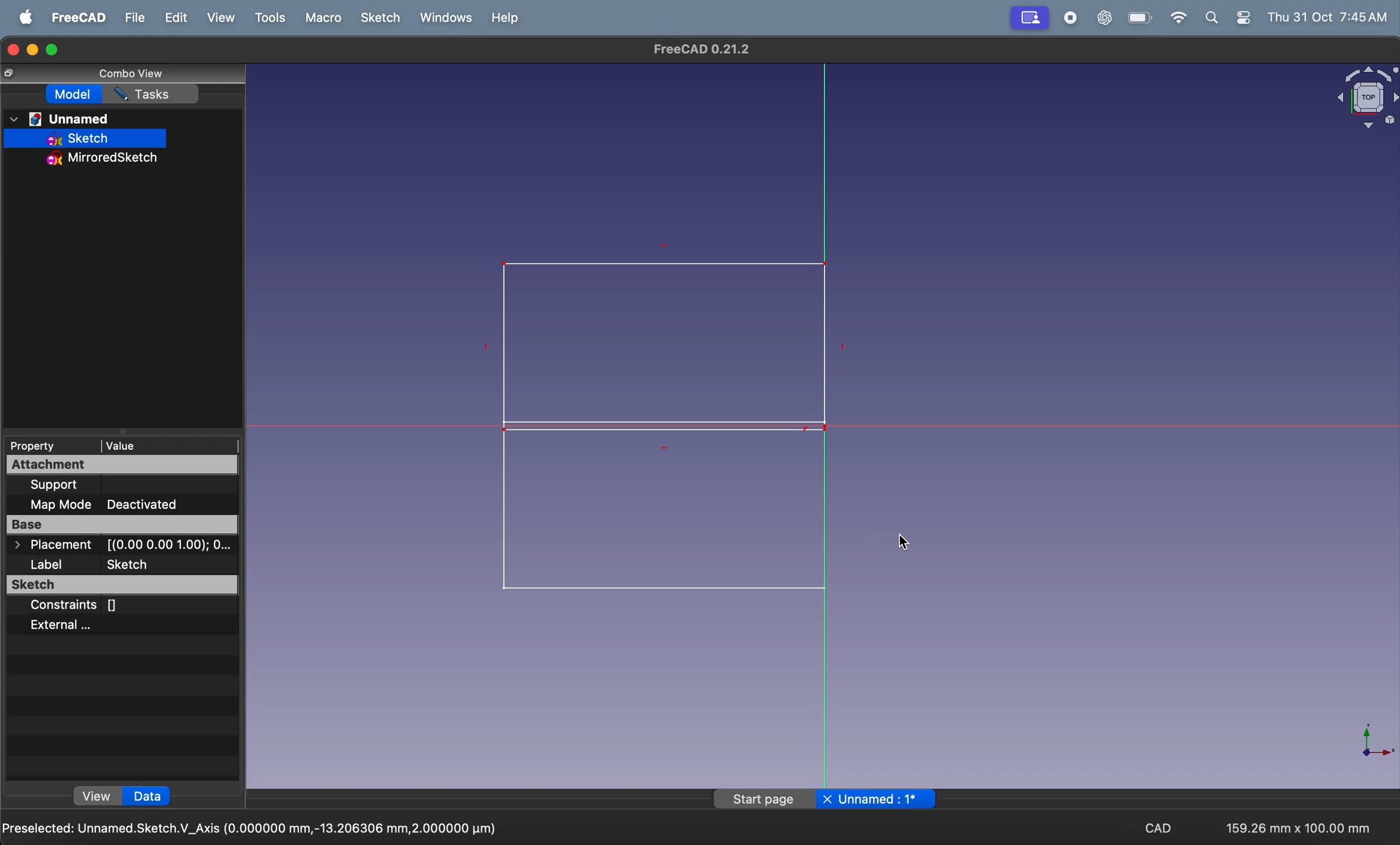 The height and width of the screenshot is (845, 1400). I want to click on view, so click(216, 18).